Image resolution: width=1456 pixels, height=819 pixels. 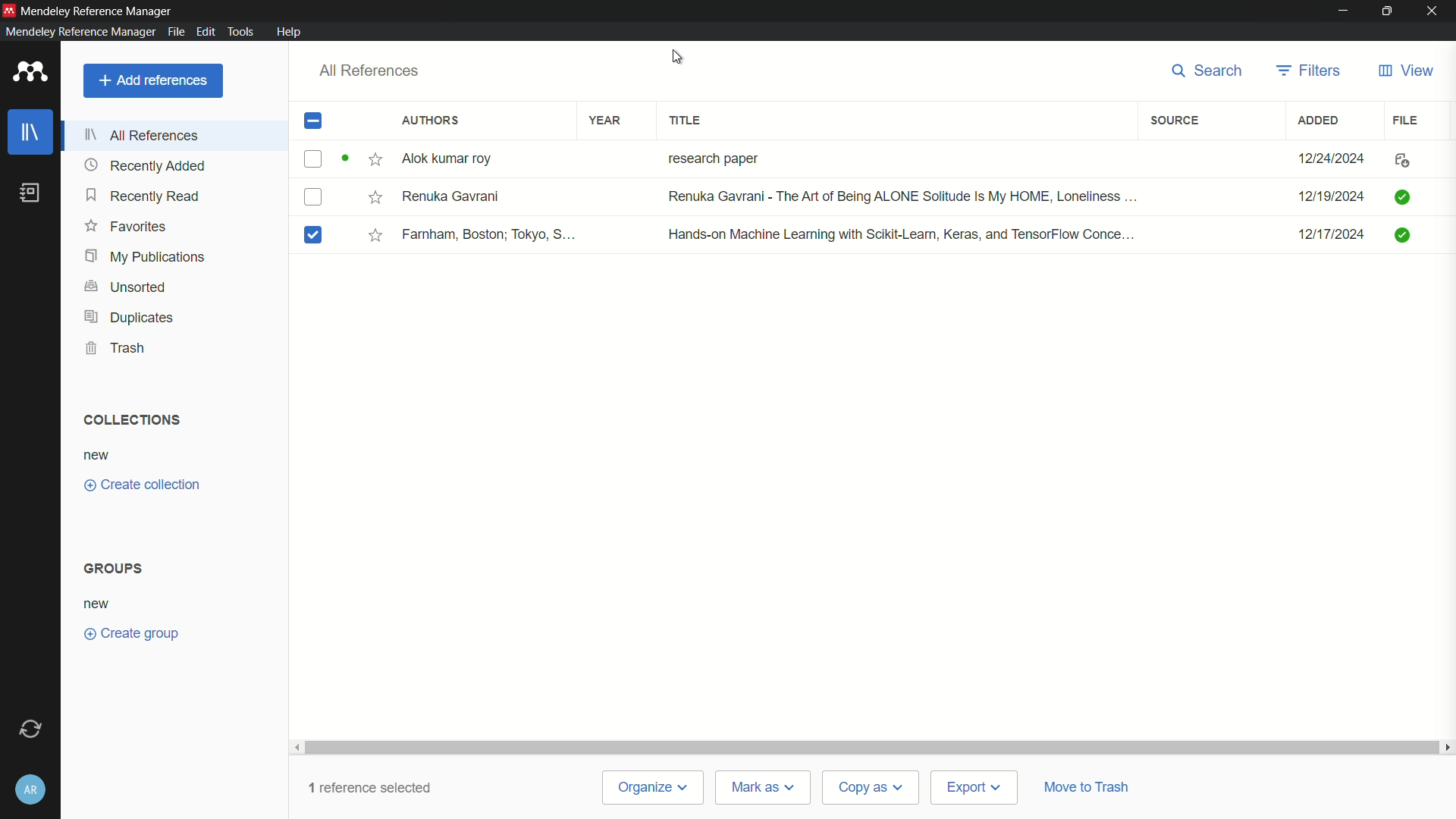 What do you see at coordinates (1387, 11) in the screenshot?
I see `maximize` at bounding box center [1387, 11].